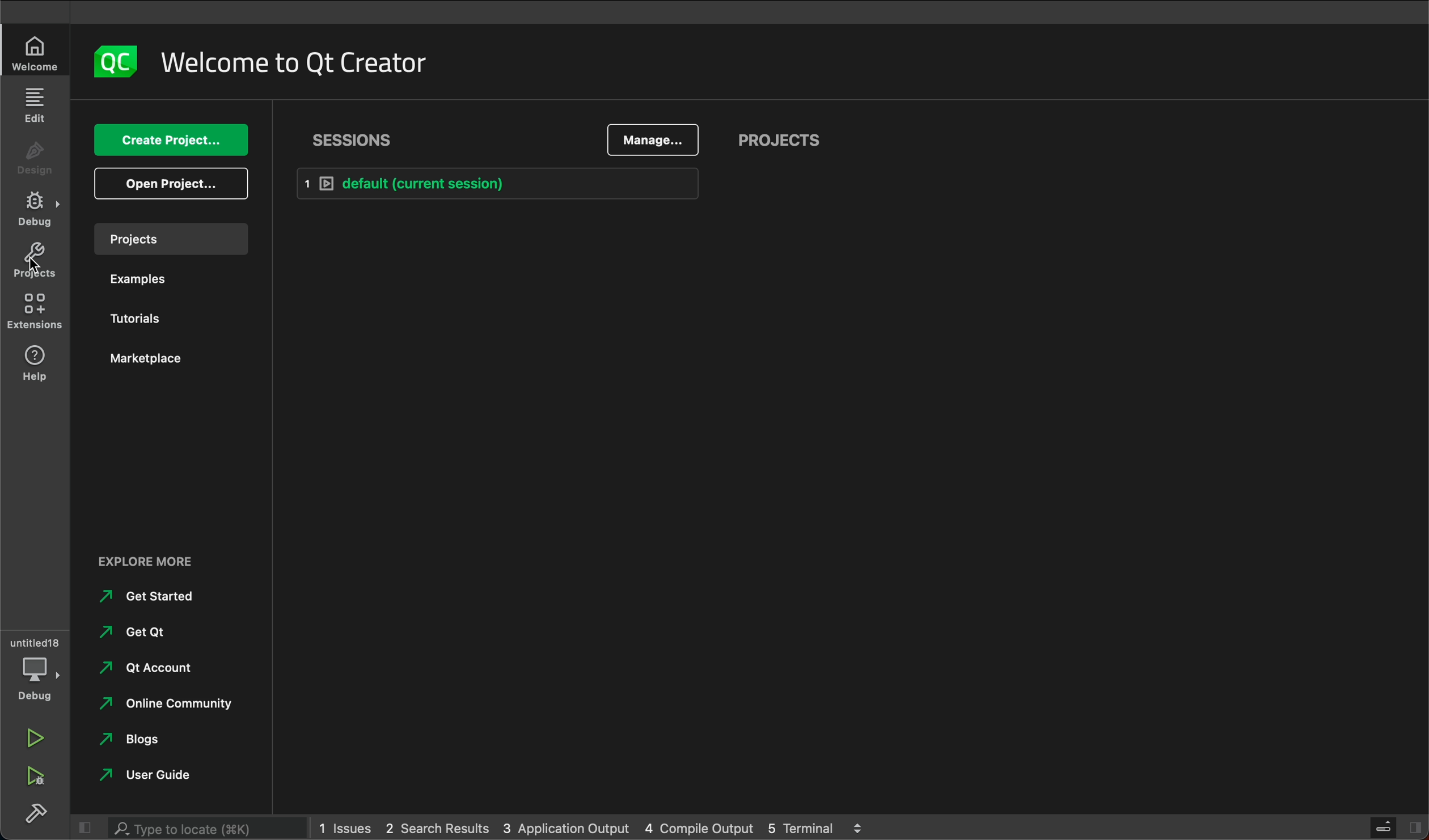  I want to click on debug, so click(38, 682).